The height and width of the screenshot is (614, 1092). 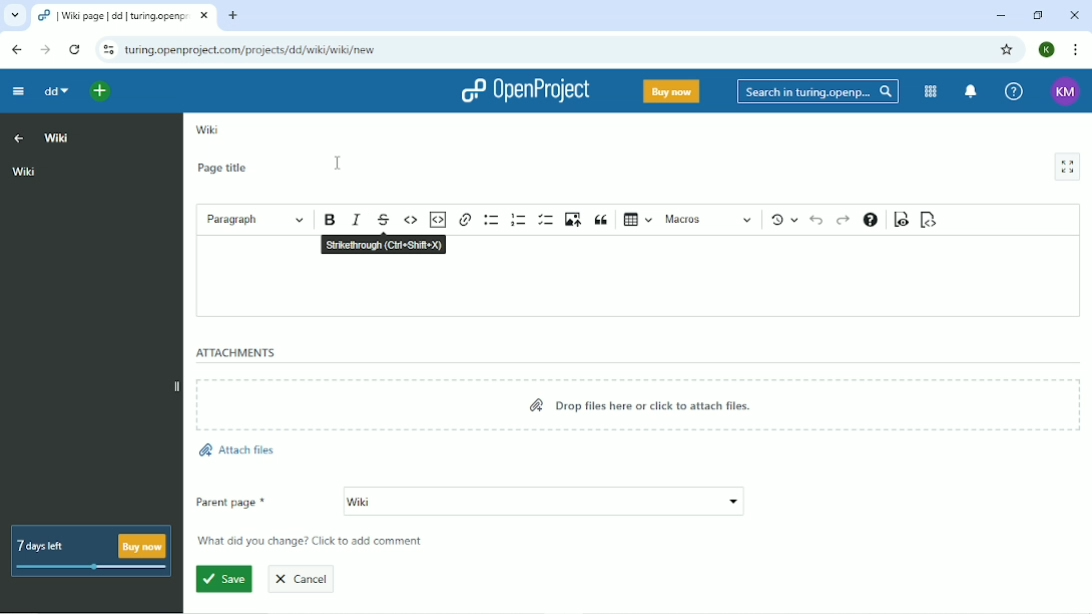 I want to click on Close, so click(x=1074, y=17).